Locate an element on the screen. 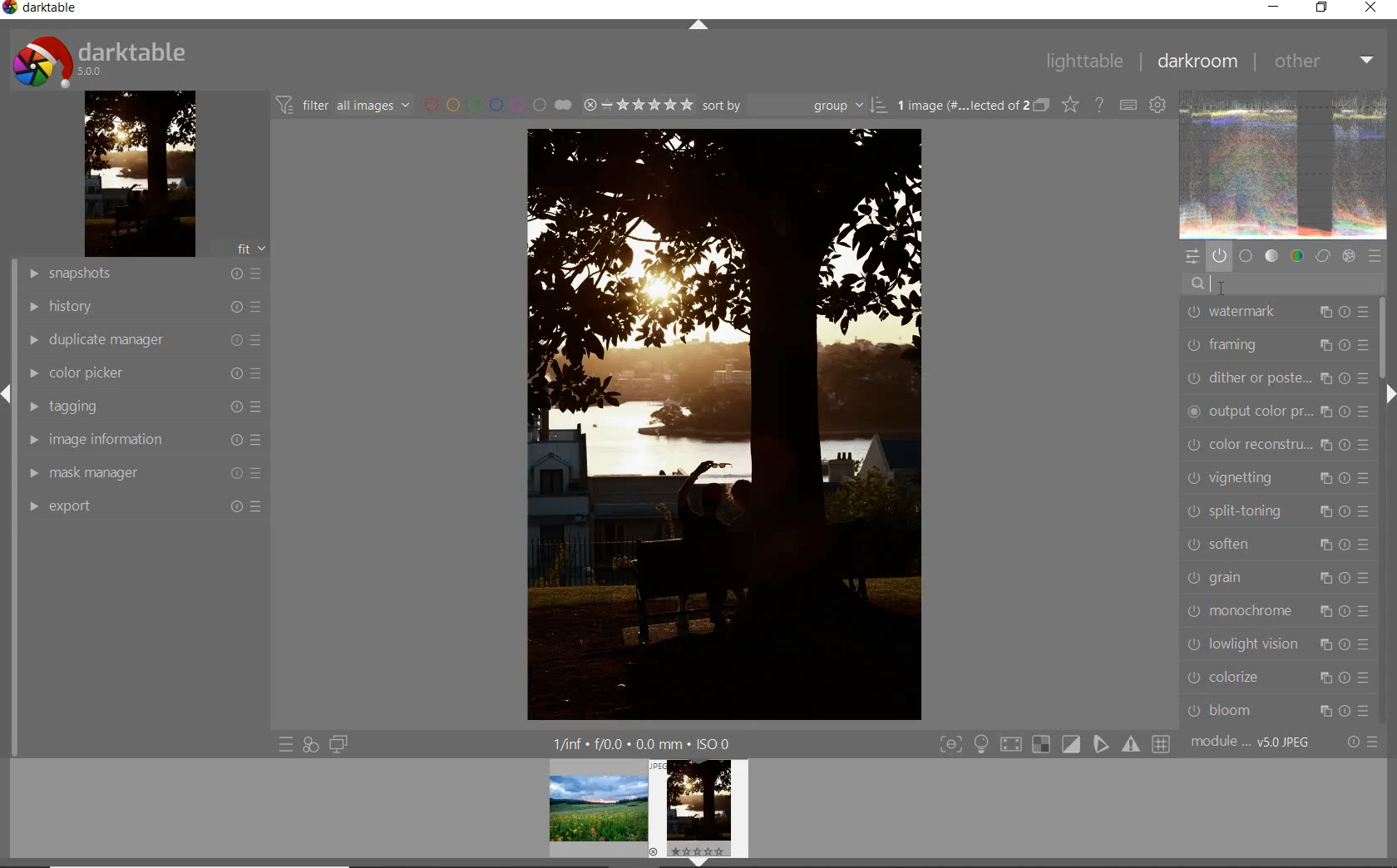  tagging is located at coordinates (141, 405).